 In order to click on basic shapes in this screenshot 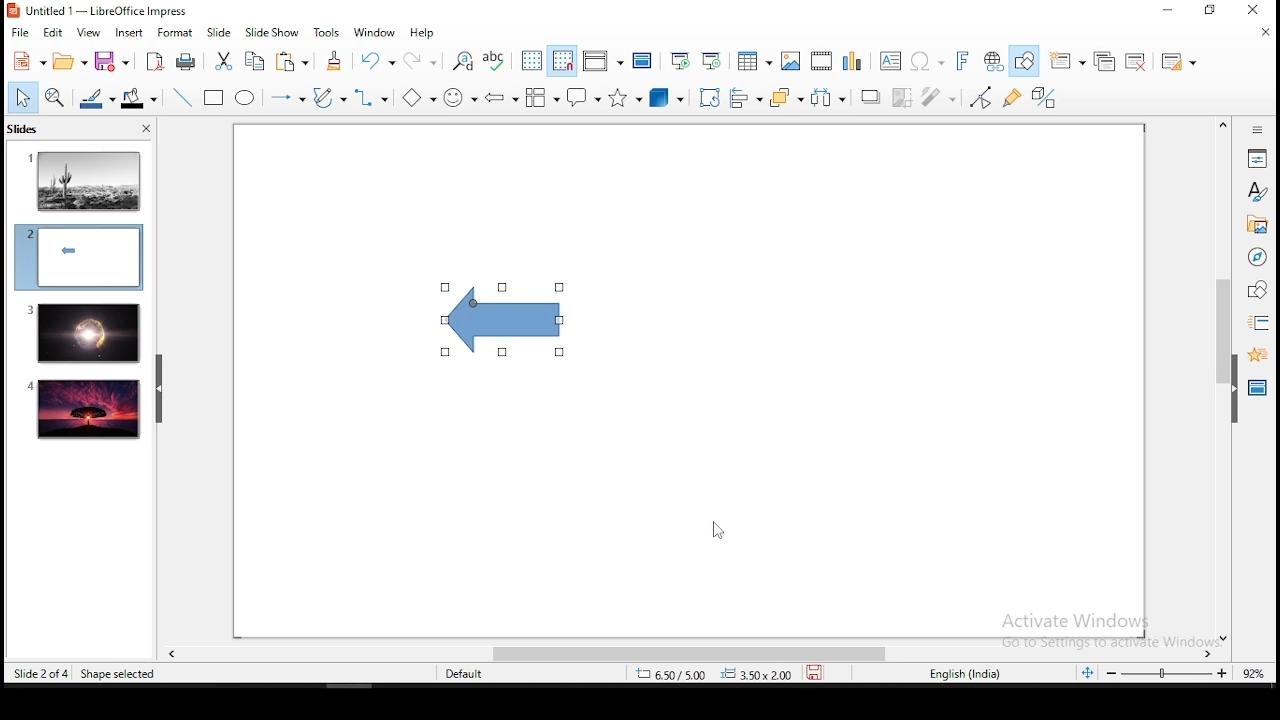, I will do `click(415, 98)`.